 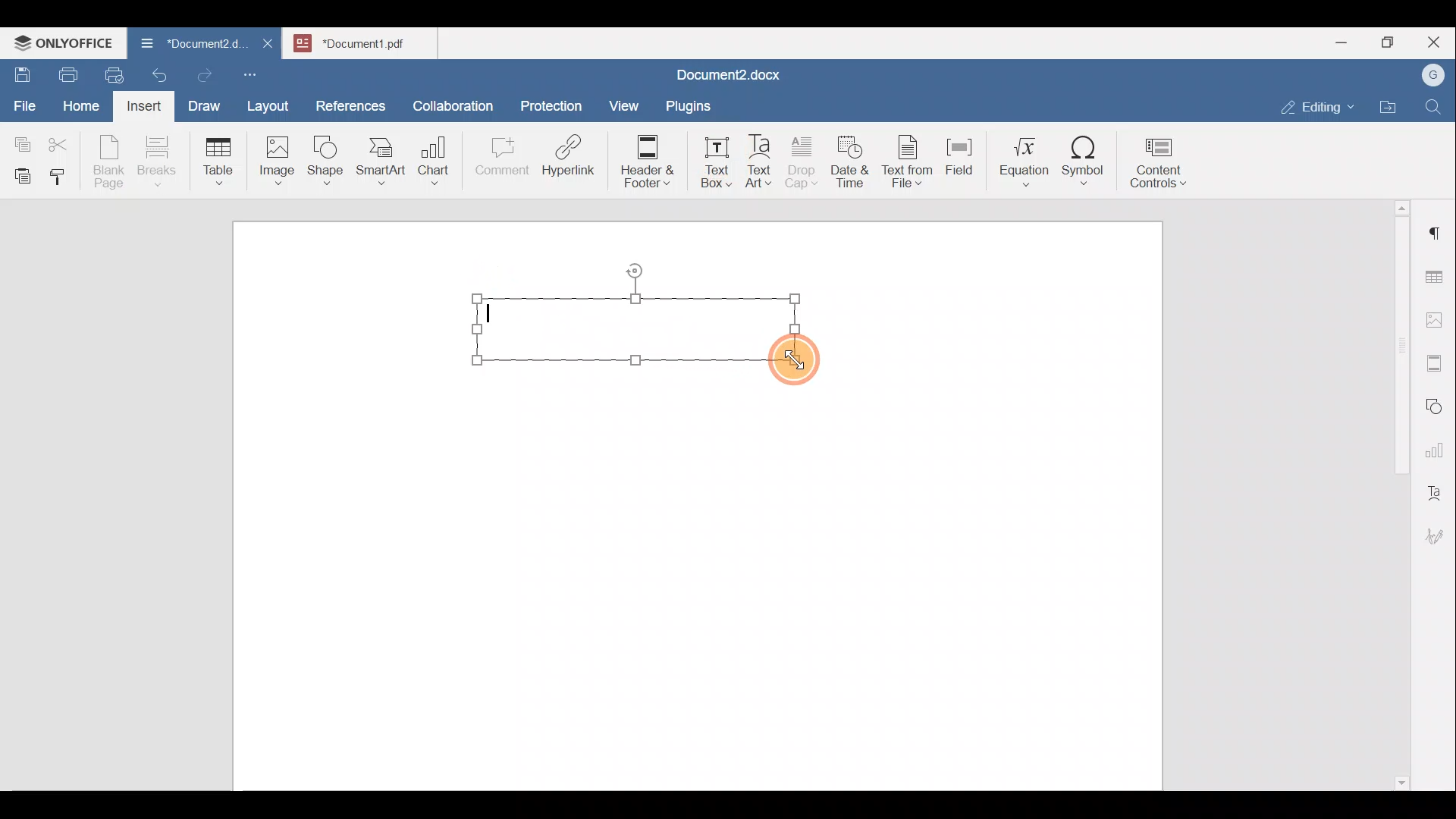 What do you see at coordinates (450, 98) in the screenshot?
I see `Collaboration` at bounding box center [450, 98].